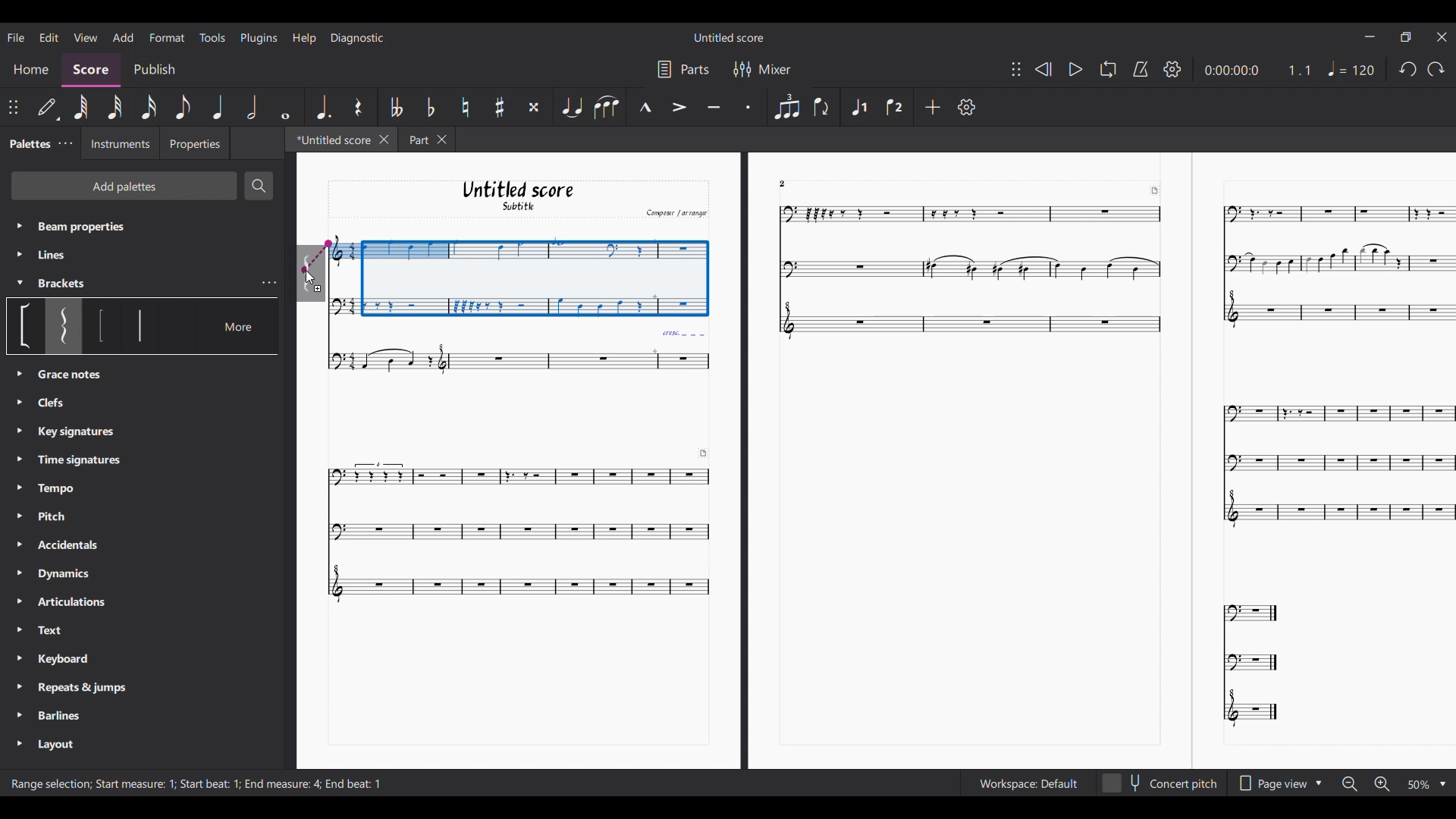 The width and height of the screenshot is (1456, 819). What do you see at coordinates (17, 373) in the screenshot?
I see `` at bounding box center [17, 373].